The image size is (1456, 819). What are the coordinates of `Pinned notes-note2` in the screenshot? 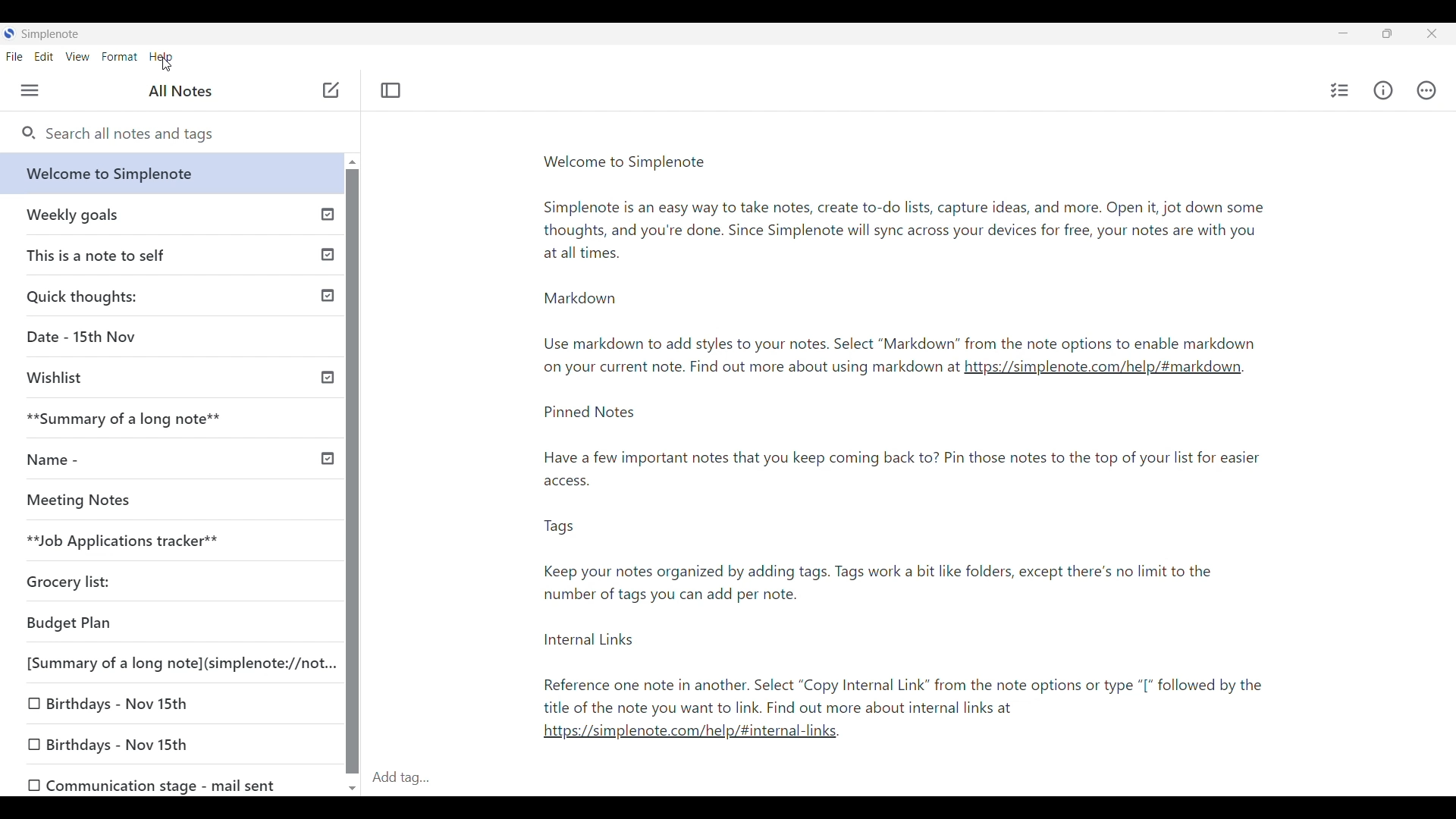 It's located at (903, 554).